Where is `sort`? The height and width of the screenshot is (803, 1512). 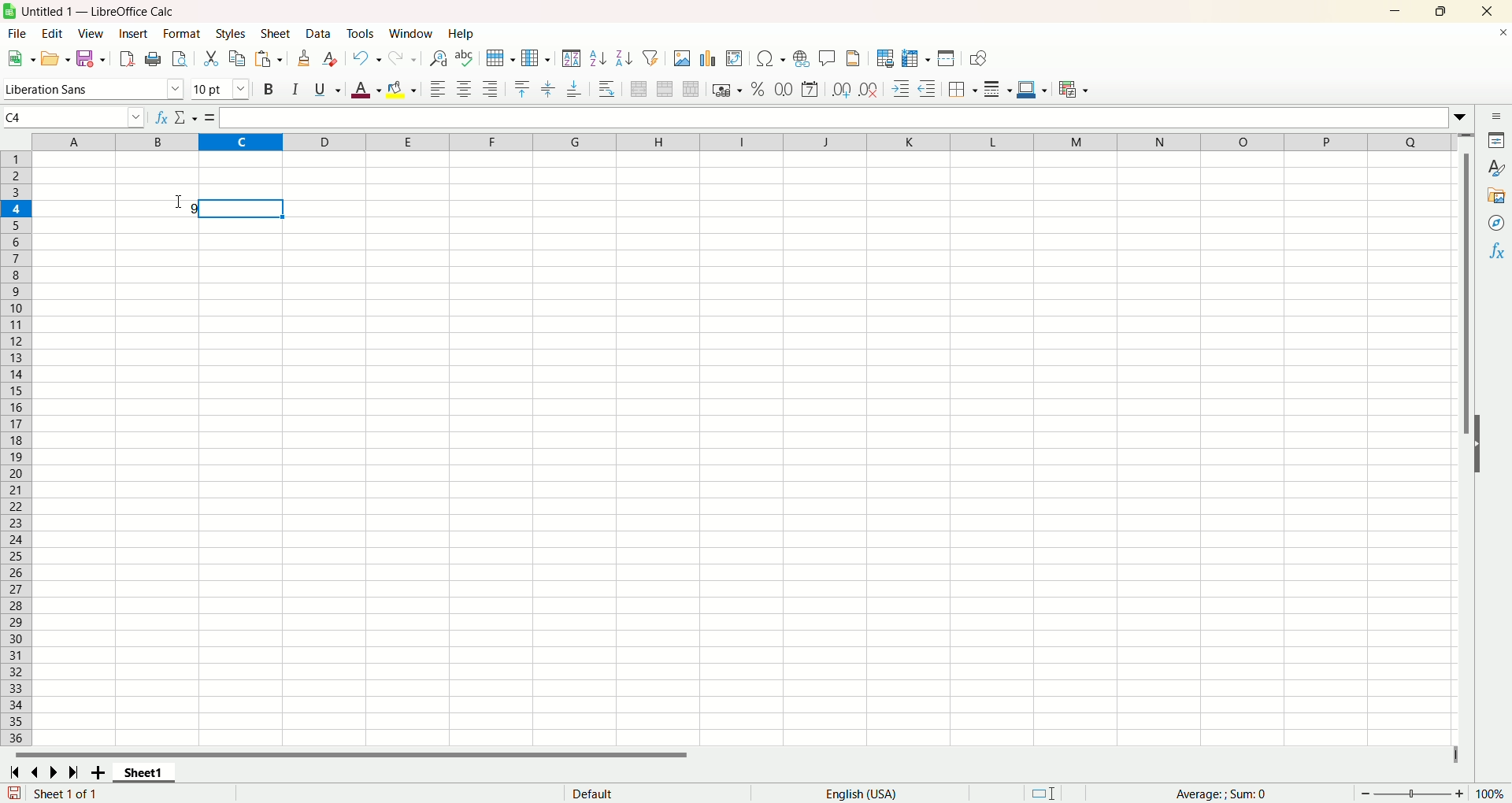 sort is located at coordinates (571, 58).